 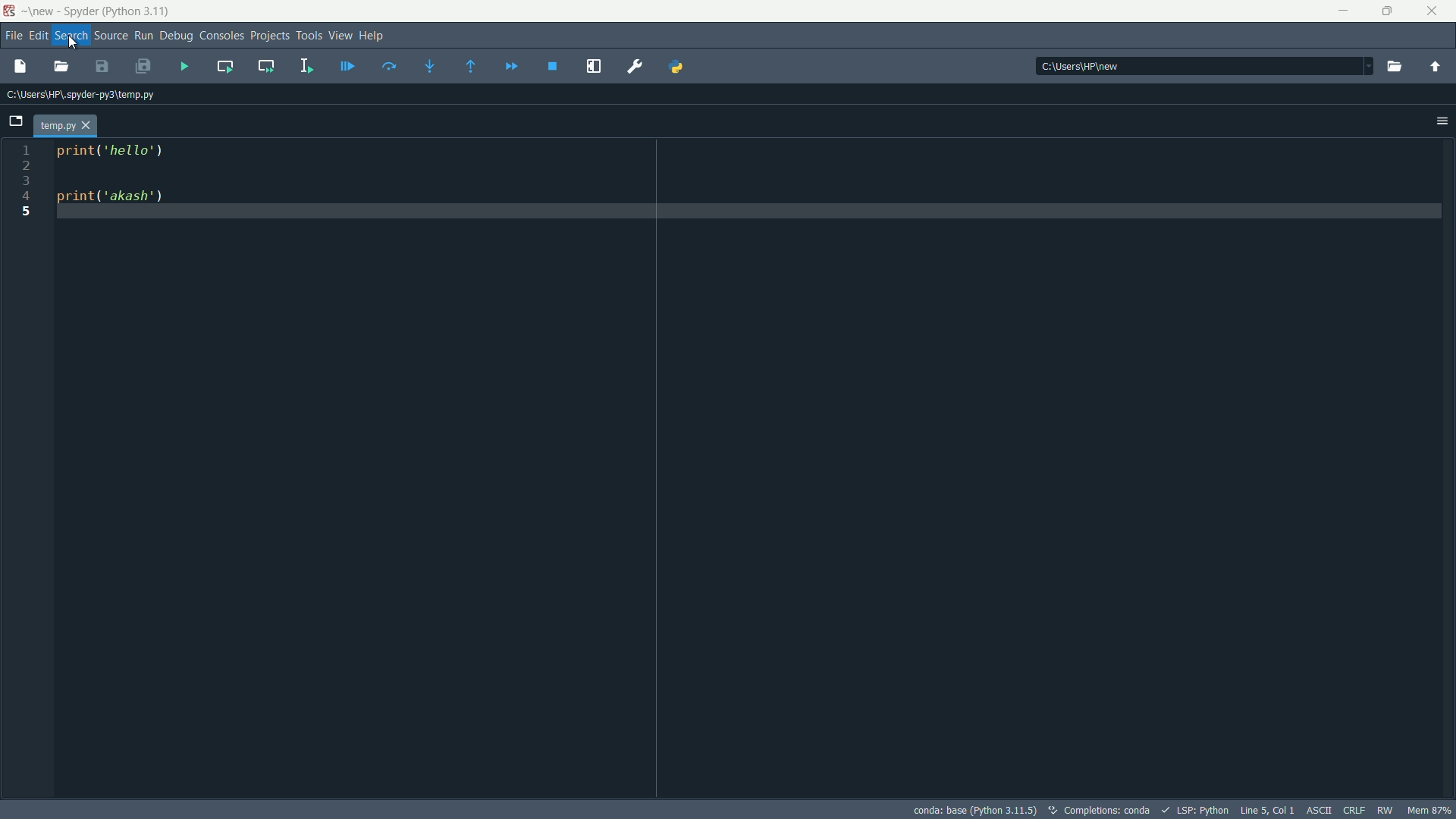 I want to click on cursor position, so click(x=1268, y=810).